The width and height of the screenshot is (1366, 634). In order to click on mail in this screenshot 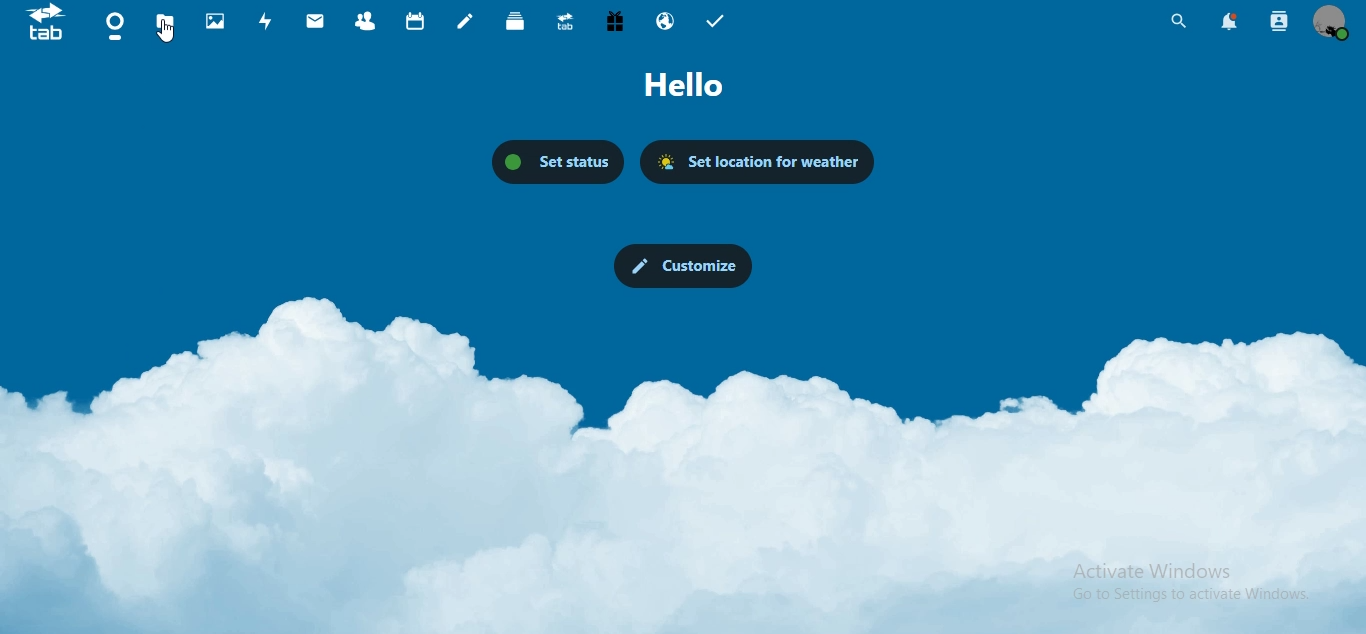, I will do `click(314, 22)`.